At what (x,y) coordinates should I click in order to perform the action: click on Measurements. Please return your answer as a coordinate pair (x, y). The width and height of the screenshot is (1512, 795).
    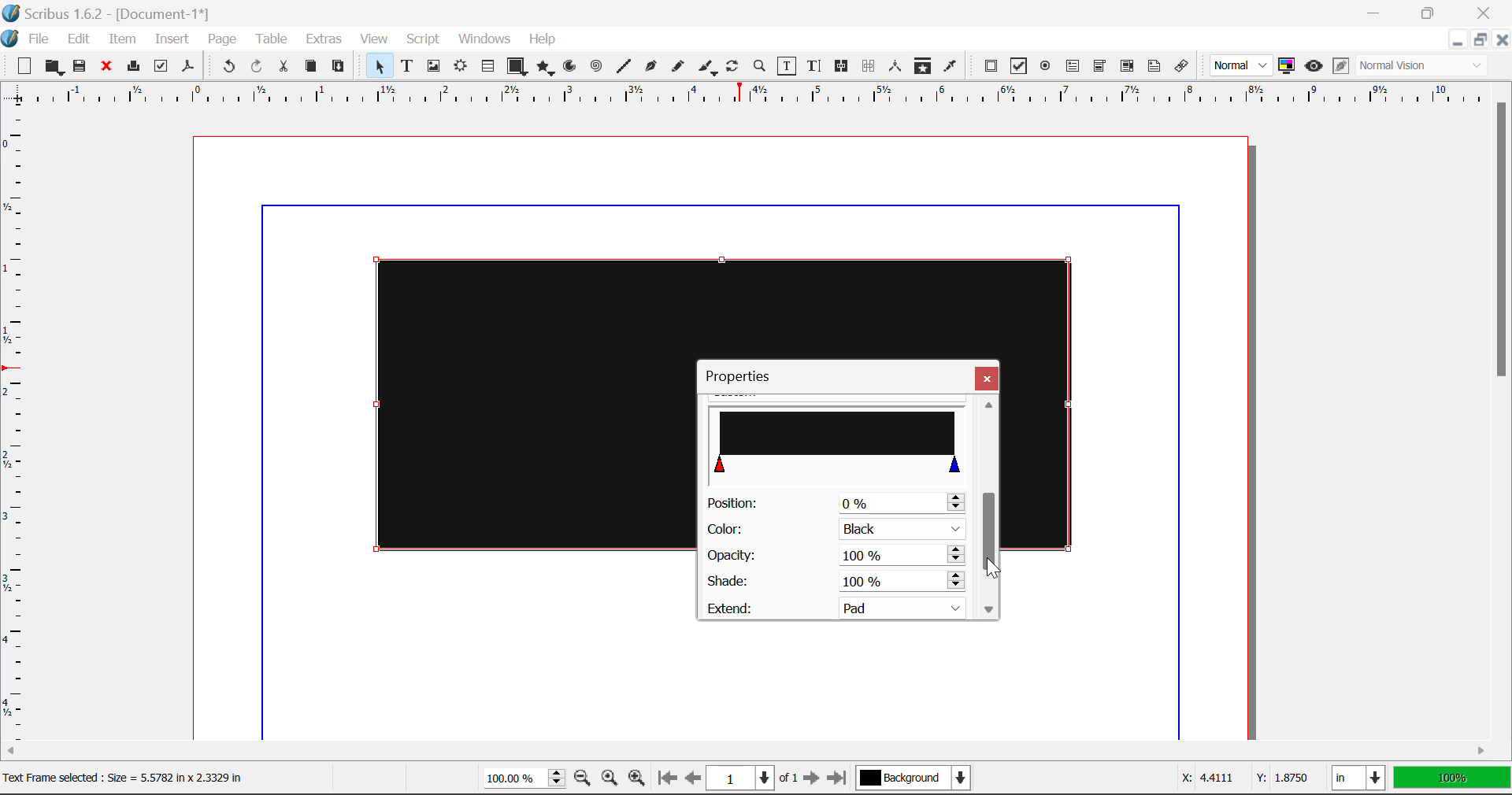
    Looking at the image, I should click on (896, 66).